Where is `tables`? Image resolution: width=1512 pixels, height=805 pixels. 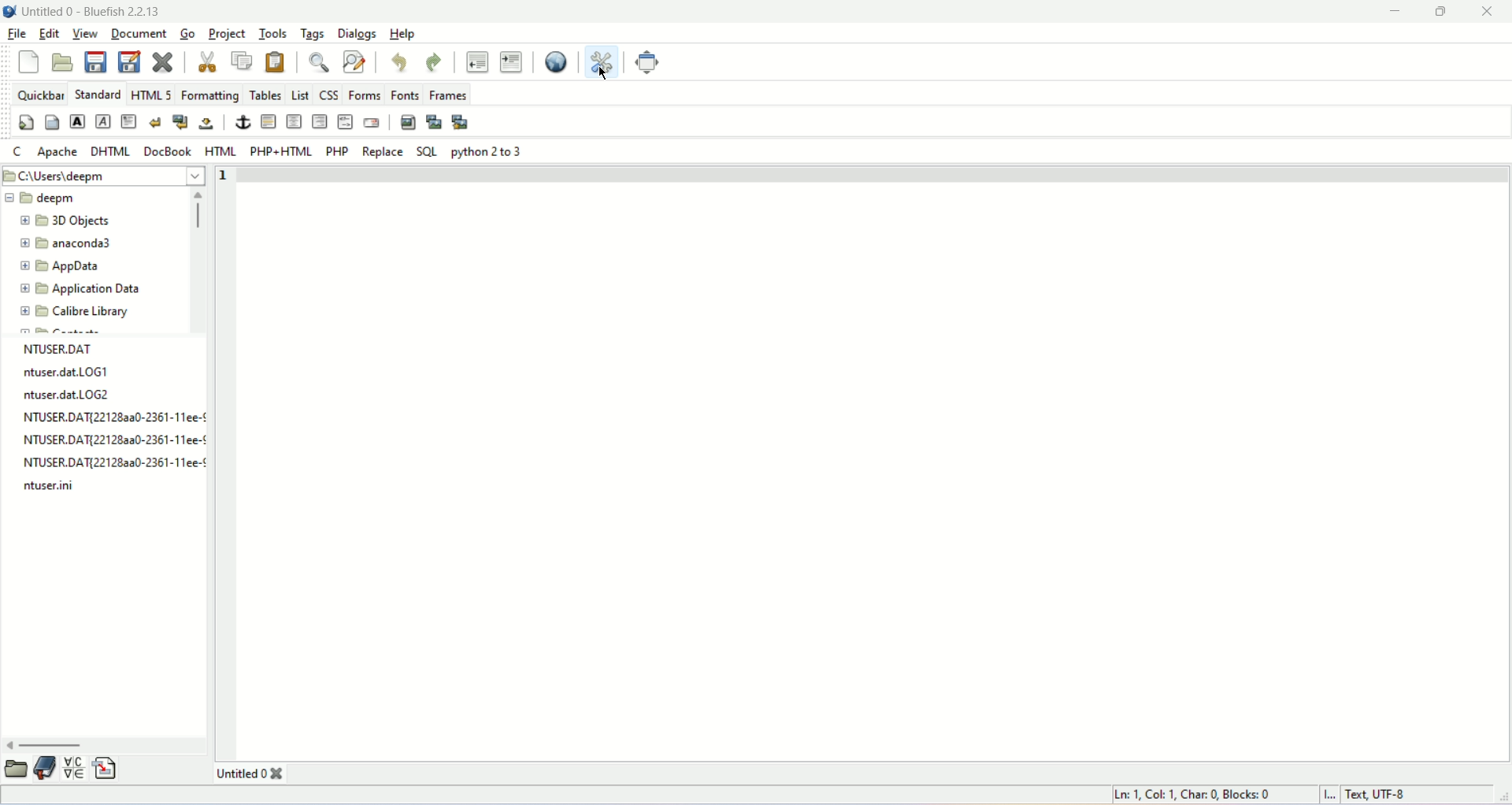
tables is located at coordinates (265, 94).